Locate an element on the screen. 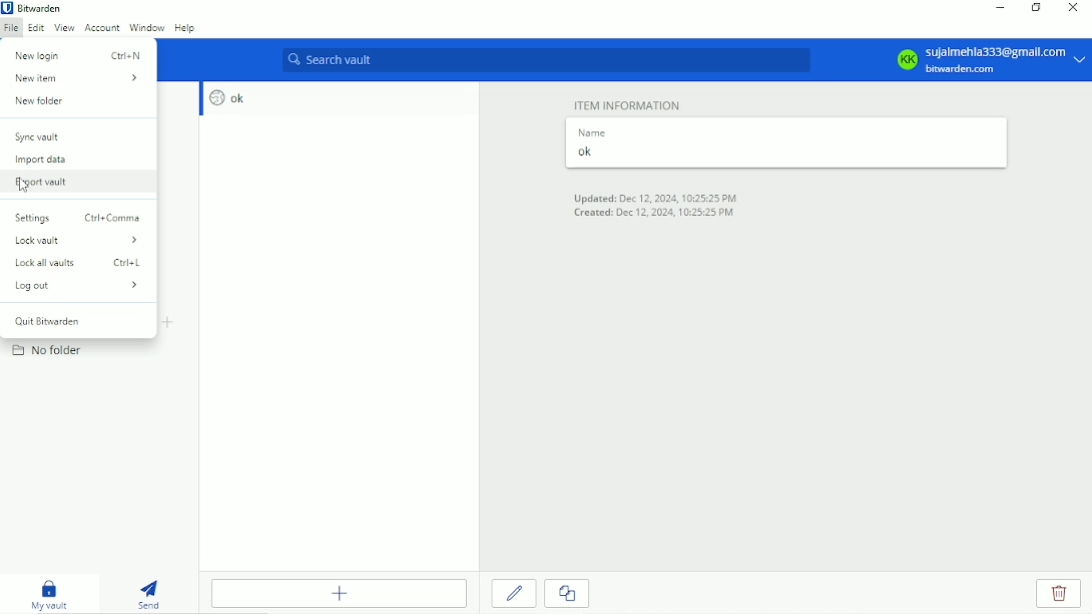 This screenshot has width=1092, height=614. Create folder is located at coordinates (169, 324).